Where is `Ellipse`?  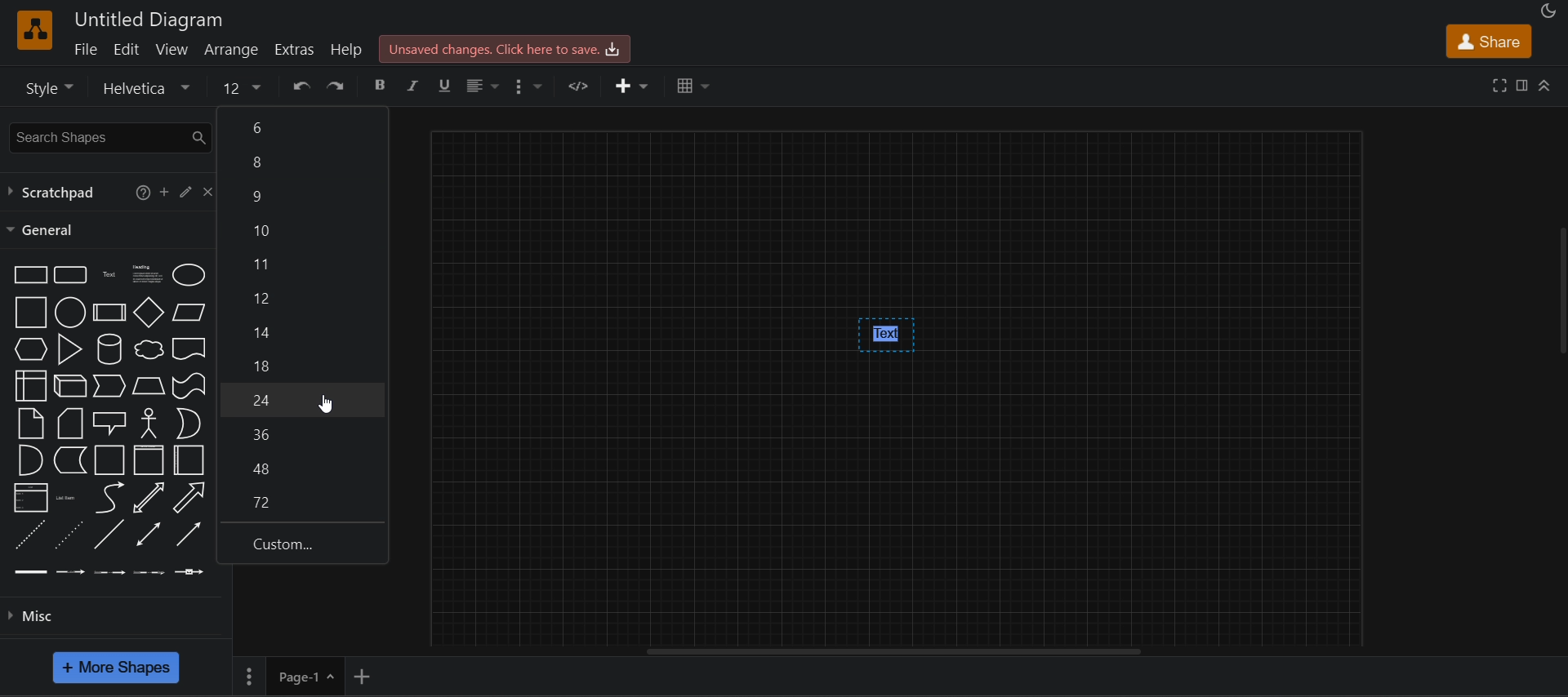 Ellipse is located at coordinates (189, 275).